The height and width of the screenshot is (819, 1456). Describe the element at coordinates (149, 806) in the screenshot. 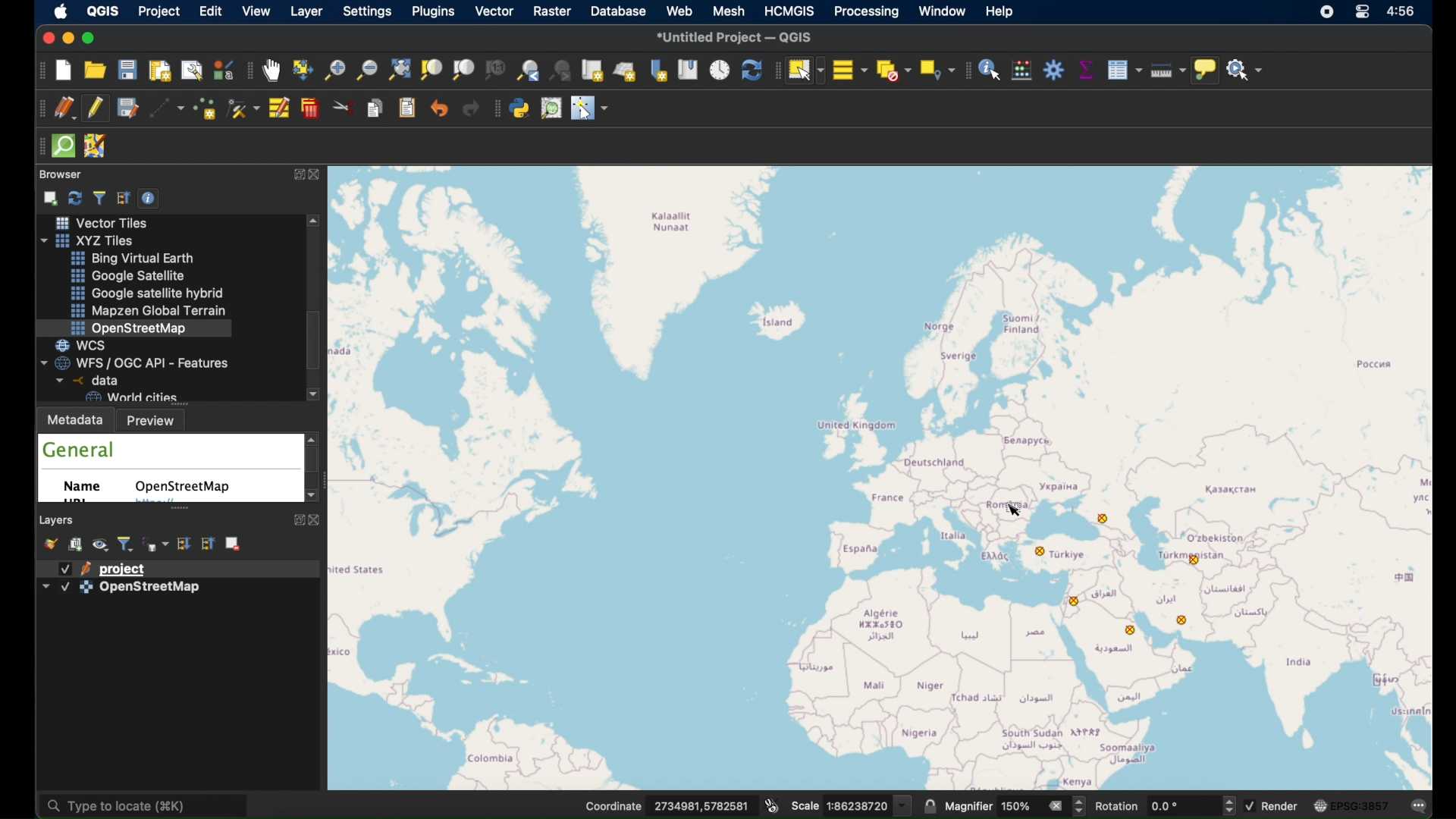

I see `type locate` at that location.